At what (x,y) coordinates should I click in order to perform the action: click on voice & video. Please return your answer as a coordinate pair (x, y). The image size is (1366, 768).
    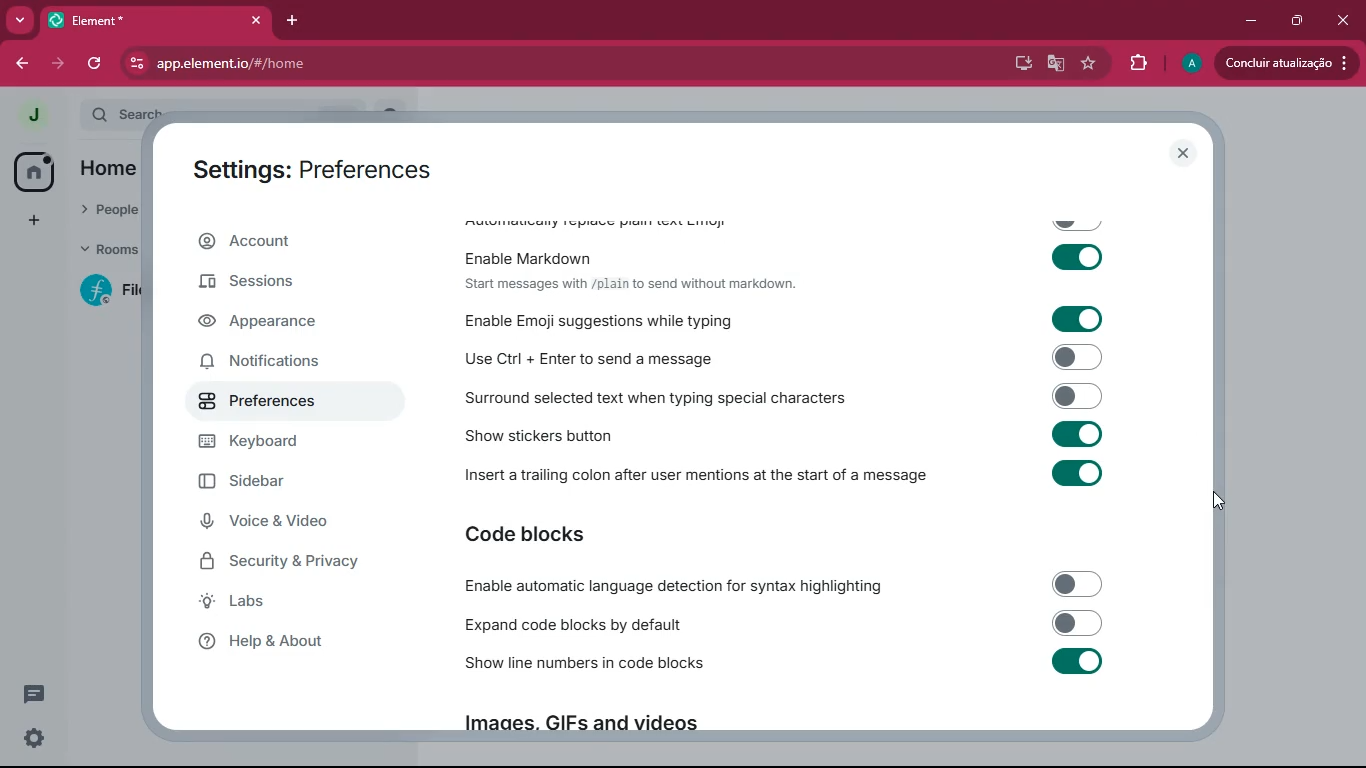
    Looking at the image, I should click on (285, 522).